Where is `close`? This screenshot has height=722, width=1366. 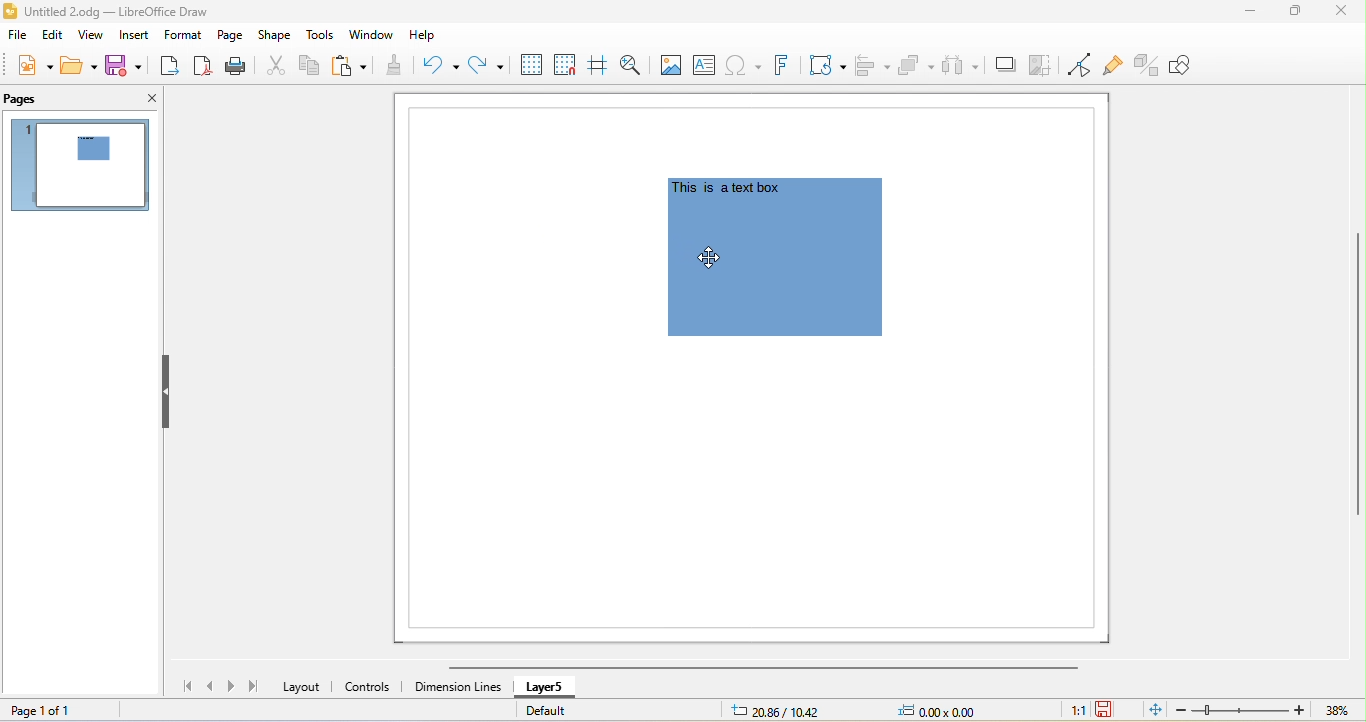 close is located at coordinates (143, 96).